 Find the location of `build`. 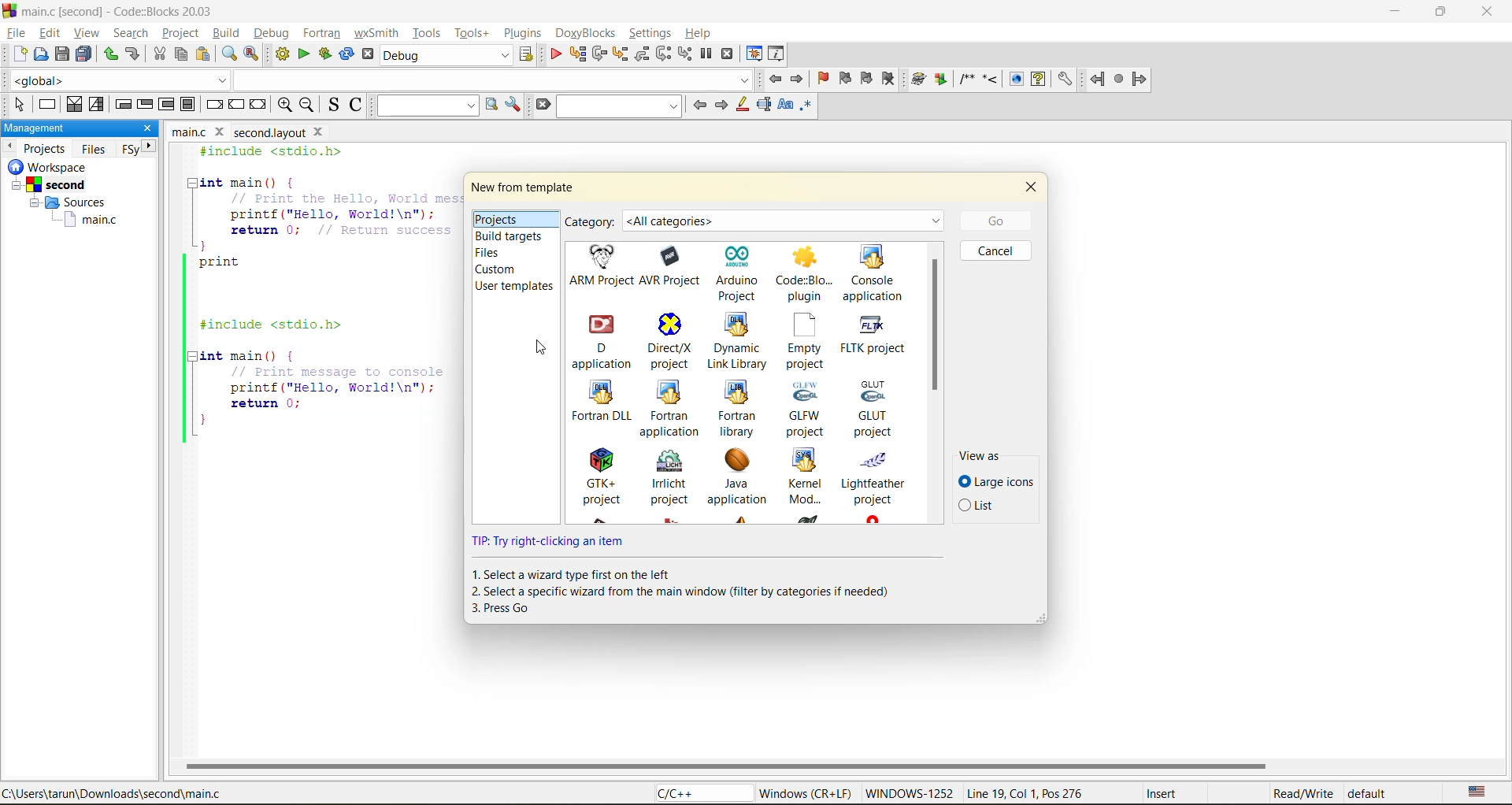

build is located at coordinates (228, 32).